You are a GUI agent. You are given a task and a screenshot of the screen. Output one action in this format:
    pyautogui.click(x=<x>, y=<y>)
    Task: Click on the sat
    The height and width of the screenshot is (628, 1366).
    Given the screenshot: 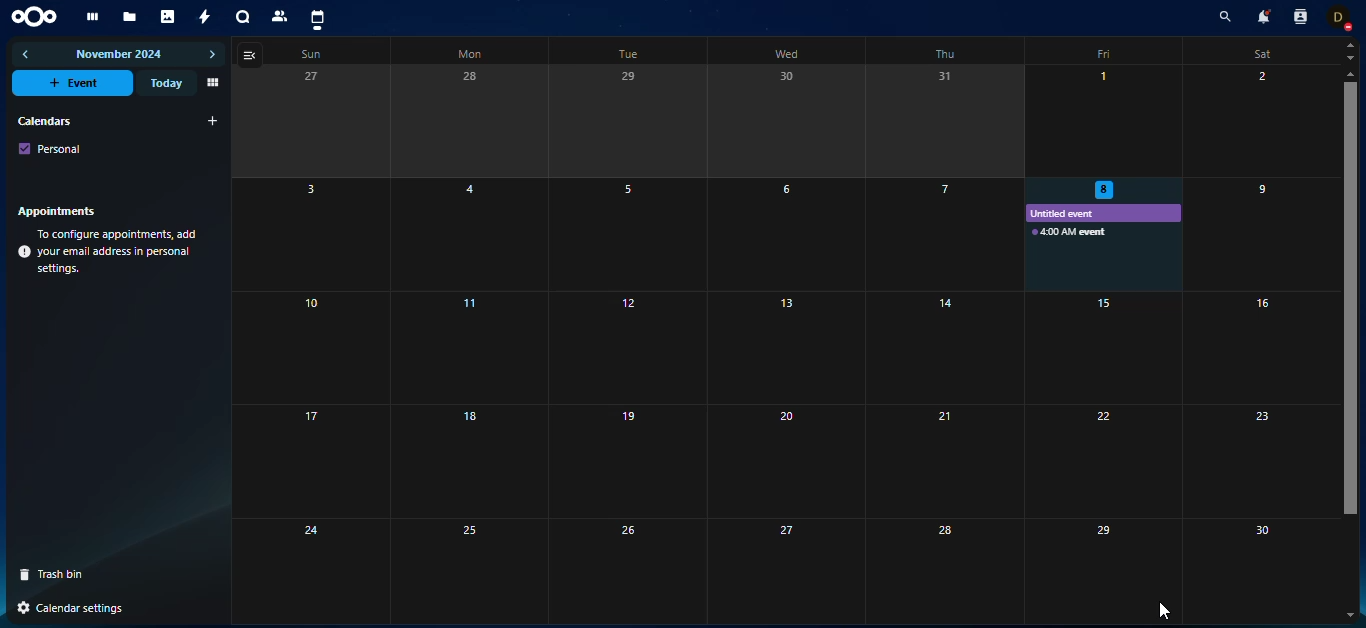 What is the action you would take?
    pyautogui.click(x=1259, y=54)
    